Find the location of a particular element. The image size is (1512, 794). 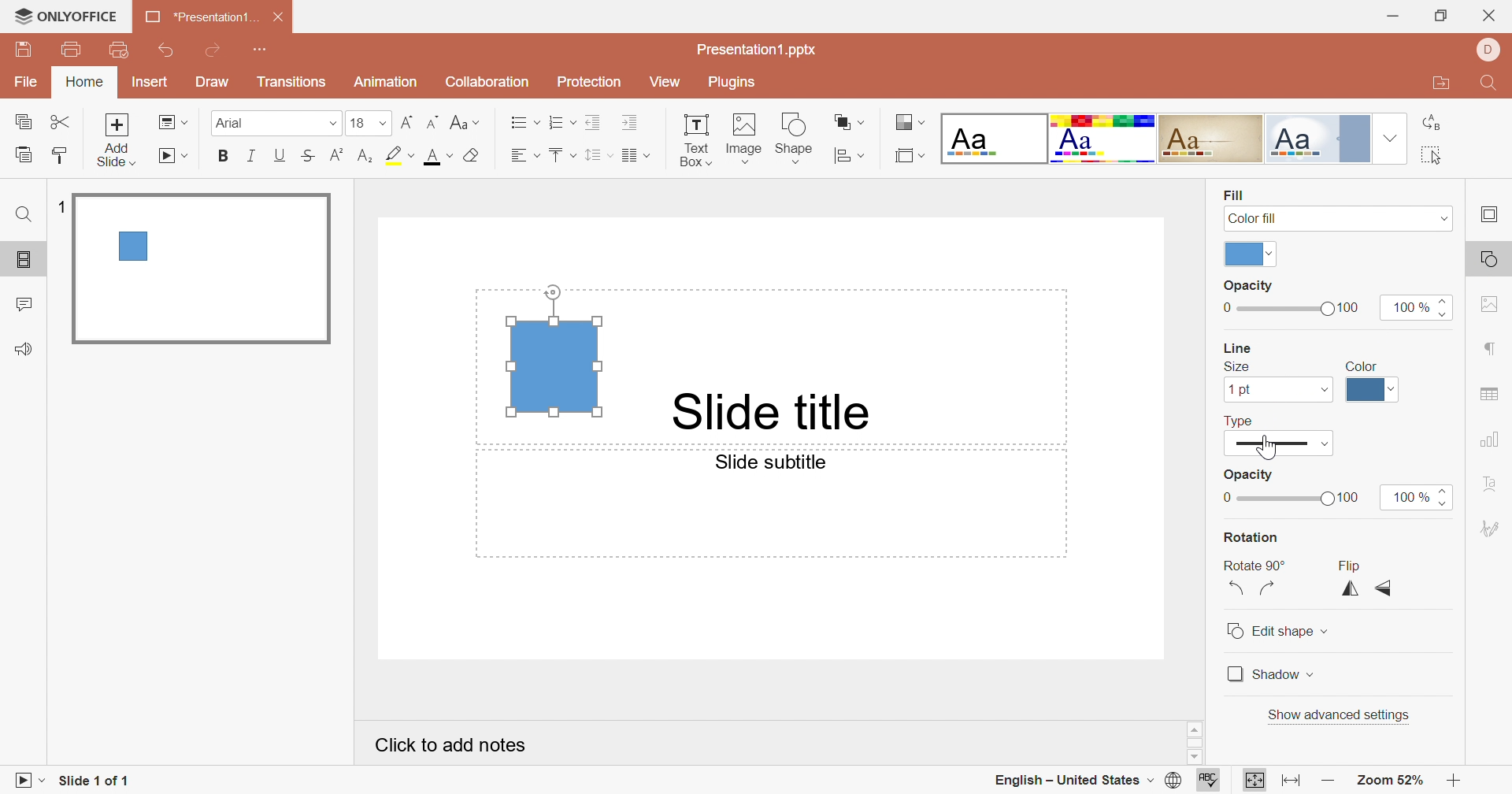

Replace is located at coordinates (1430, 118).